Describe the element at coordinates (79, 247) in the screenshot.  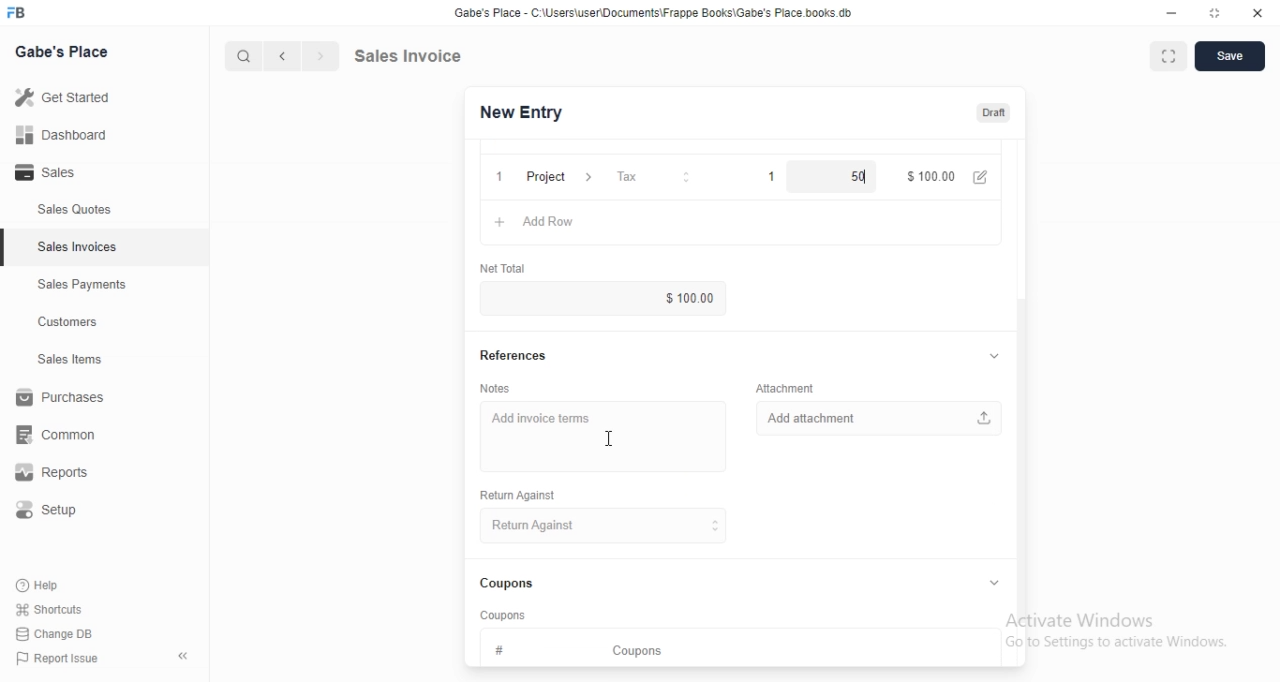
I see `Sales Invoices` at that location.